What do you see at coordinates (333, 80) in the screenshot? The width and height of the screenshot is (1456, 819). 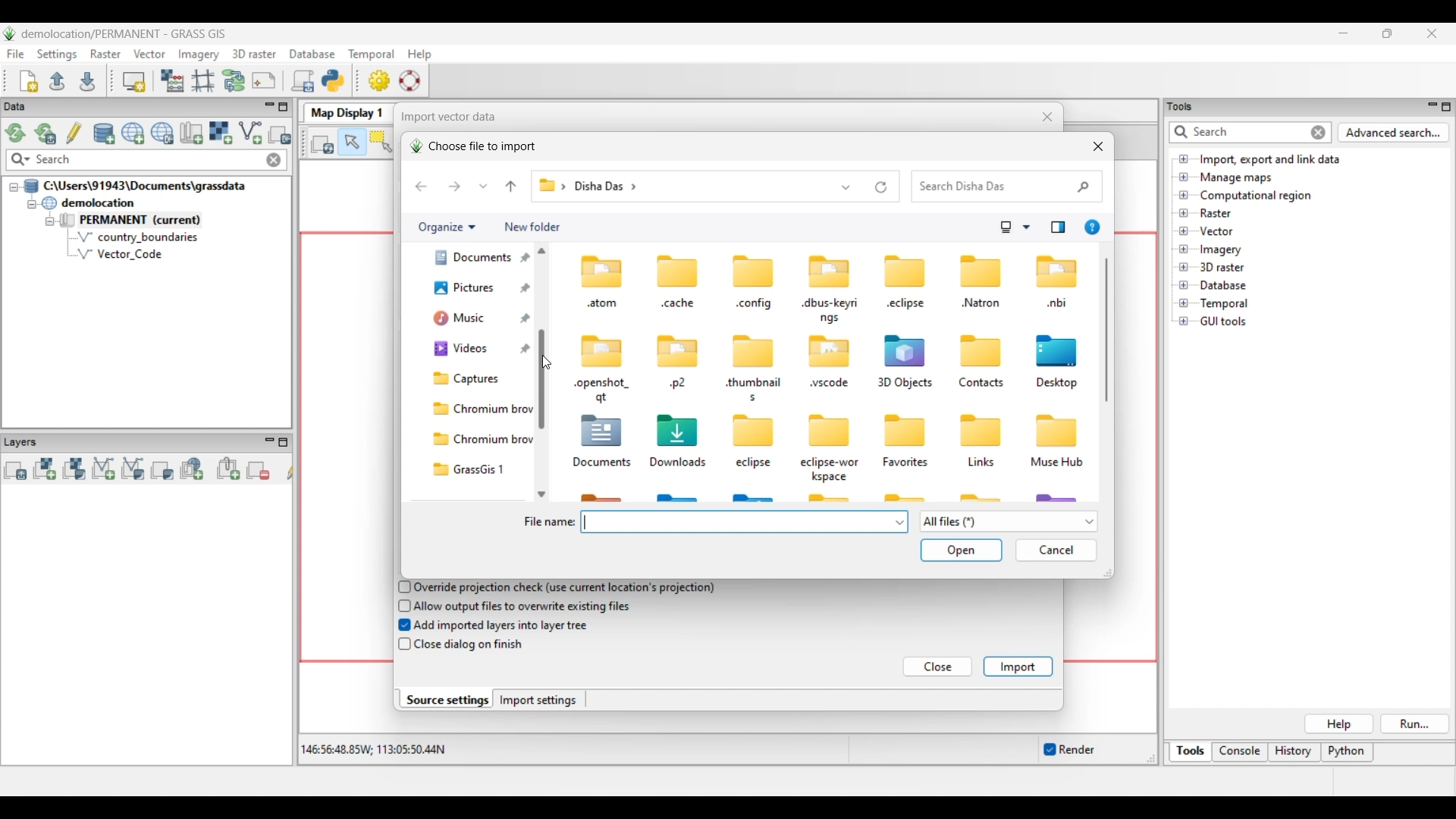 I see `Open a simple python code editor` at bounding box center [333, 80].